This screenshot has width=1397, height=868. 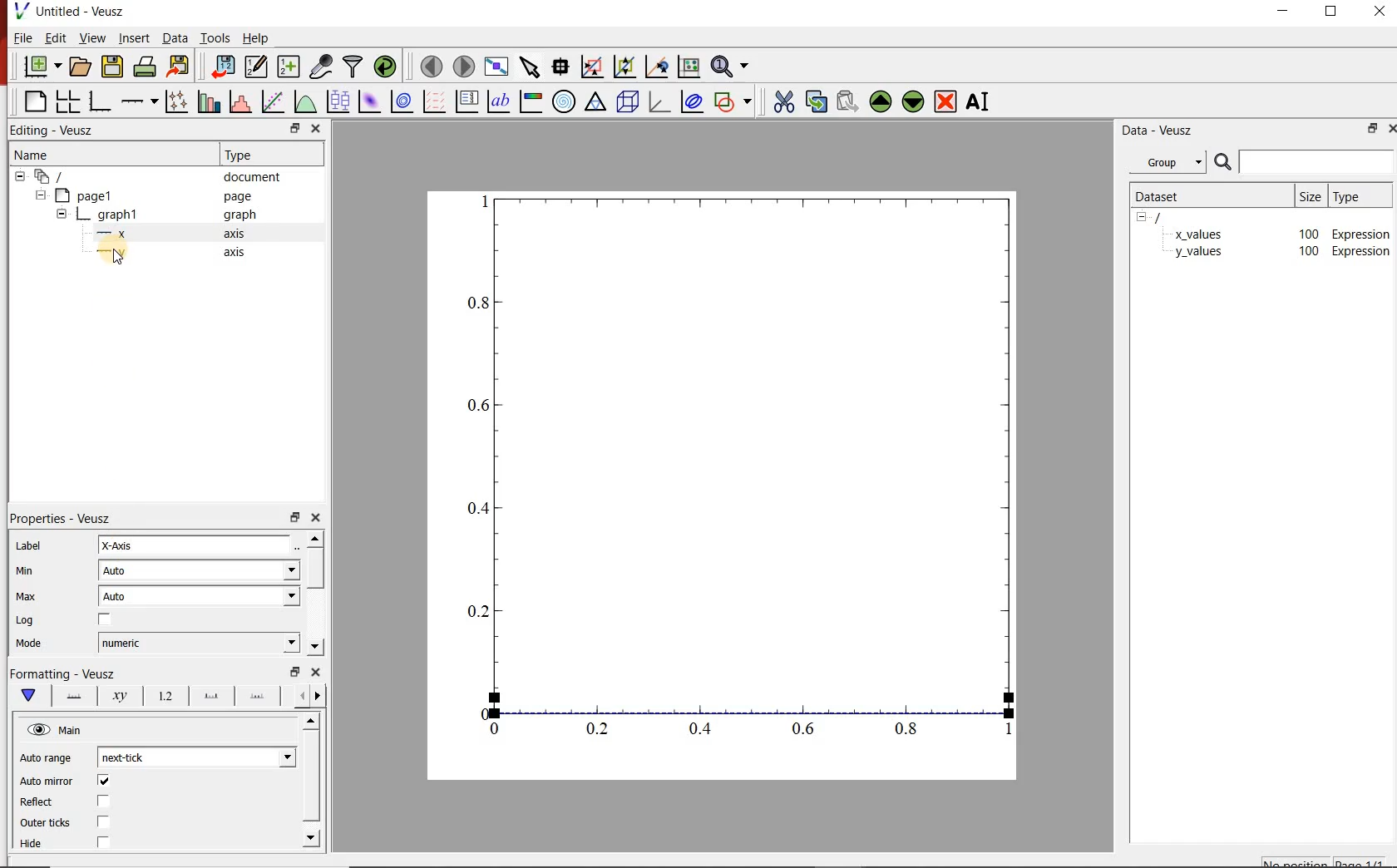 What do you see at coordinates (336, 101) in the screenshot?
I see `plot box plots` at bounding box center [336, 101].